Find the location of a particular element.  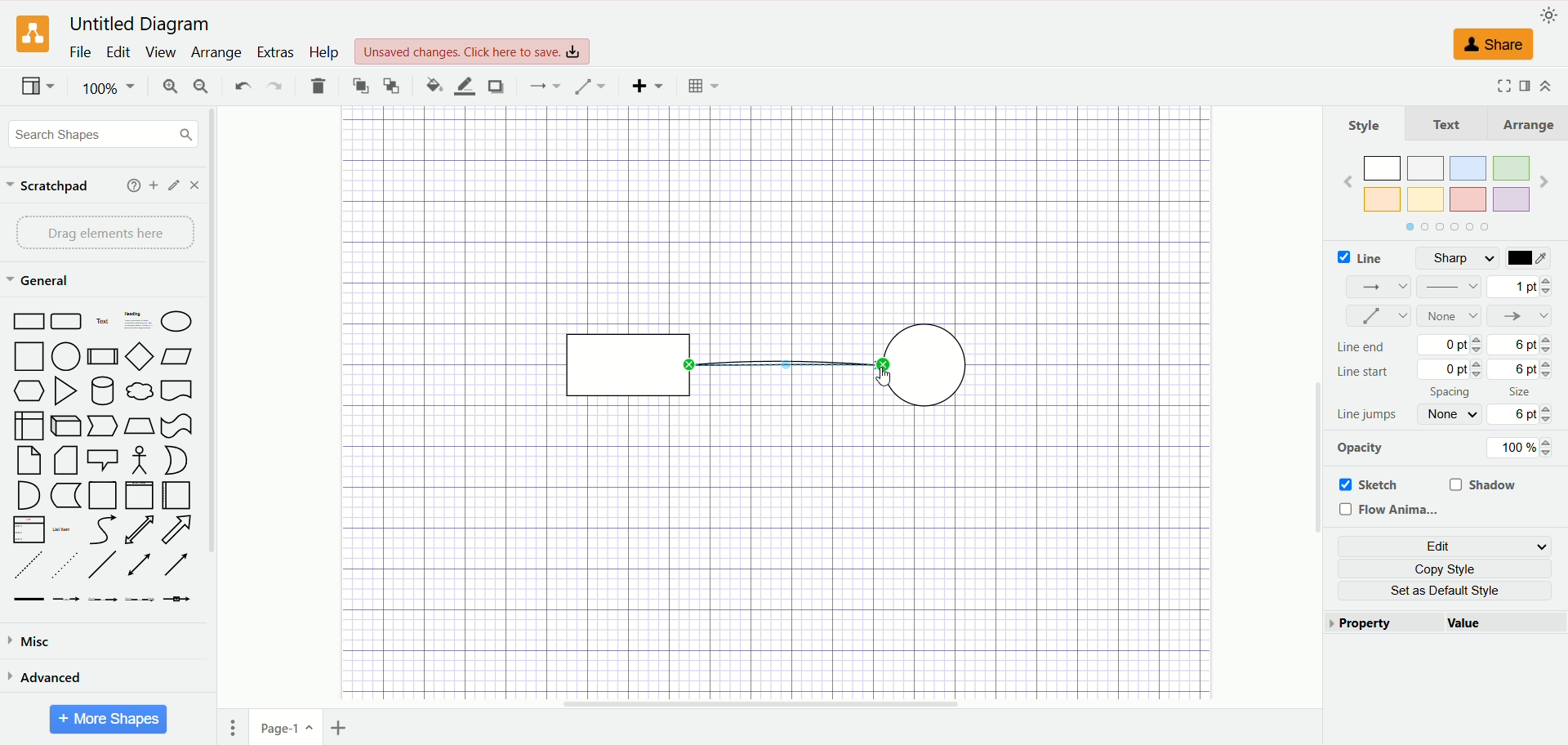

line is located at coordinates (1359, 257).